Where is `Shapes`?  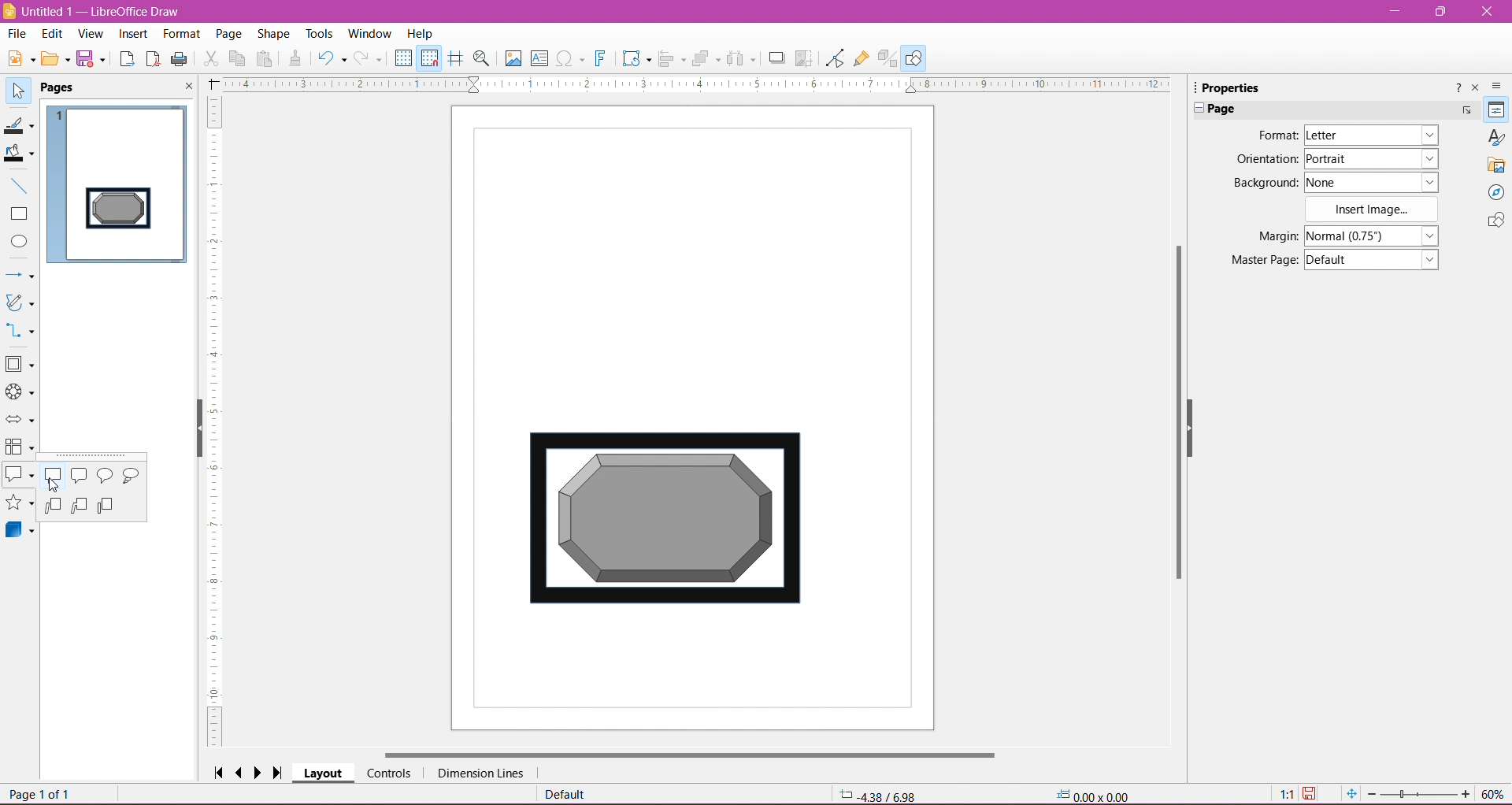 Shapes is located at coordinates (1494, 222).